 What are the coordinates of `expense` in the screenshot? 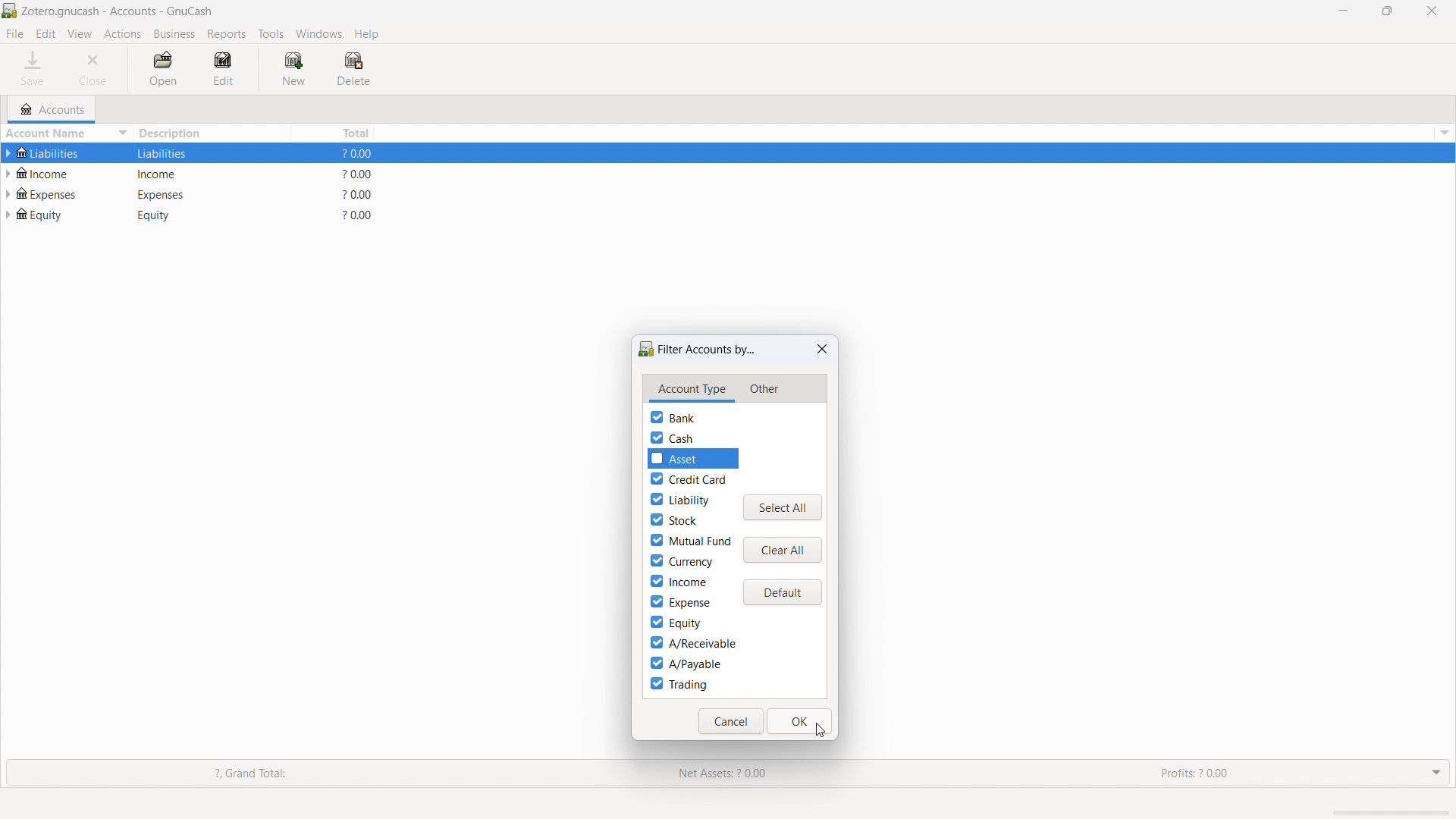 It's located at (679, 601).